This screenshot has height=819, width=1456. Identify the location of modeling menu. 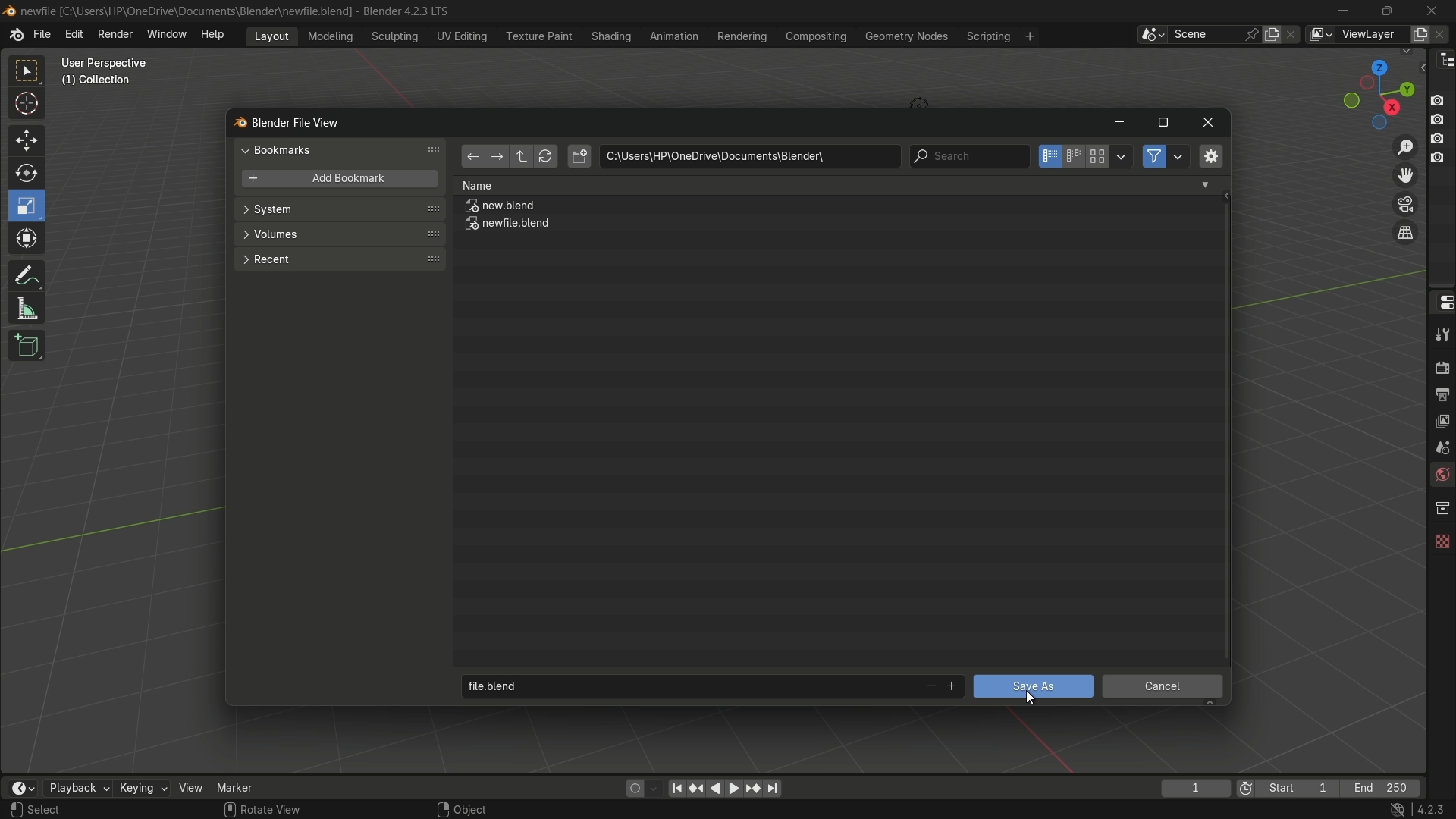
(331, 35).